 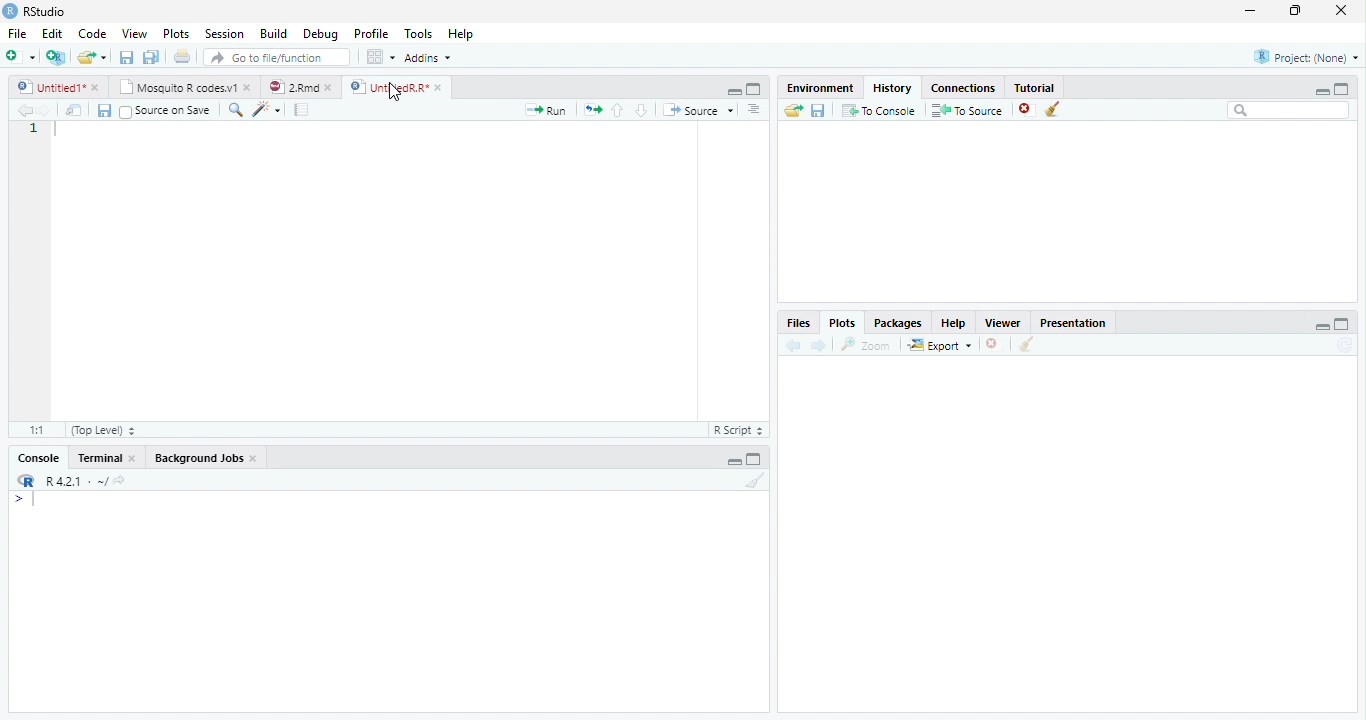 I want to click on Close, so click(x=133, y=458).